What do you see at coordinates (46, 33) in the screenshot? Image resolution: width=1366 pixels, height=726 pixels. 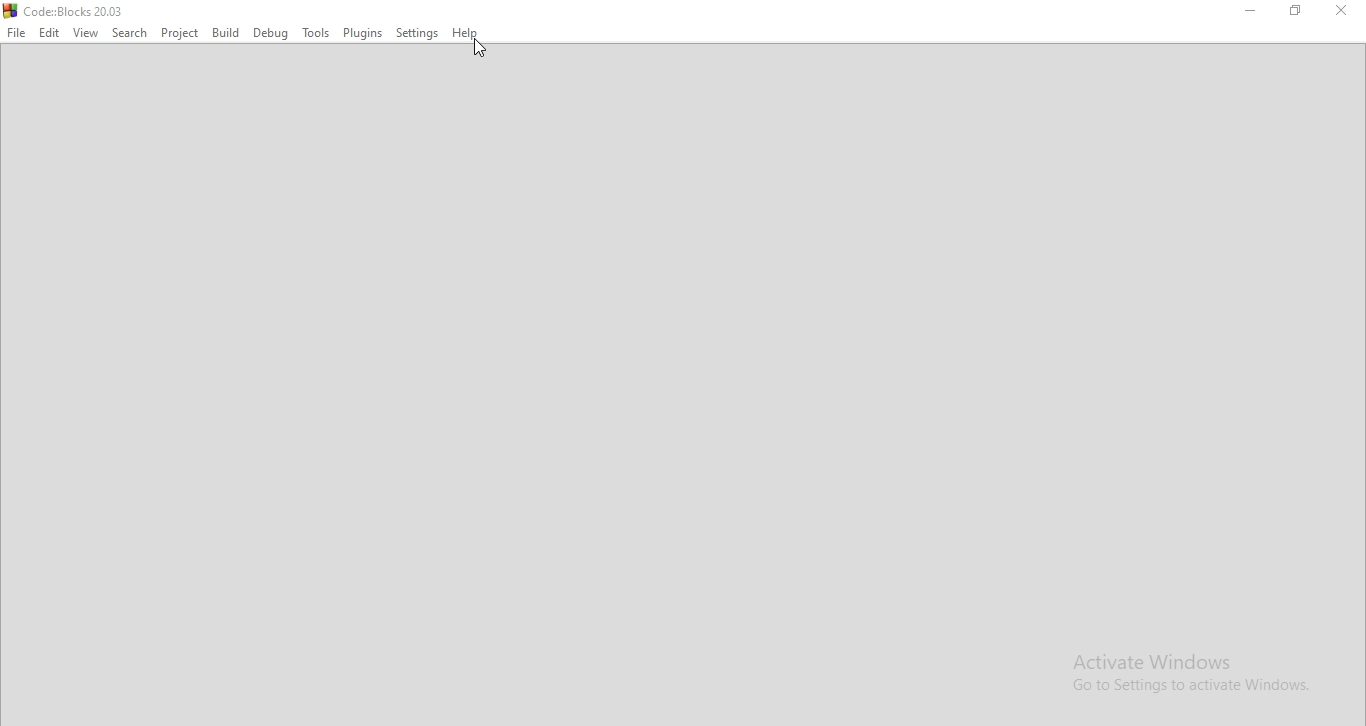 I see `Edit ` at bounding box center [46, 33].